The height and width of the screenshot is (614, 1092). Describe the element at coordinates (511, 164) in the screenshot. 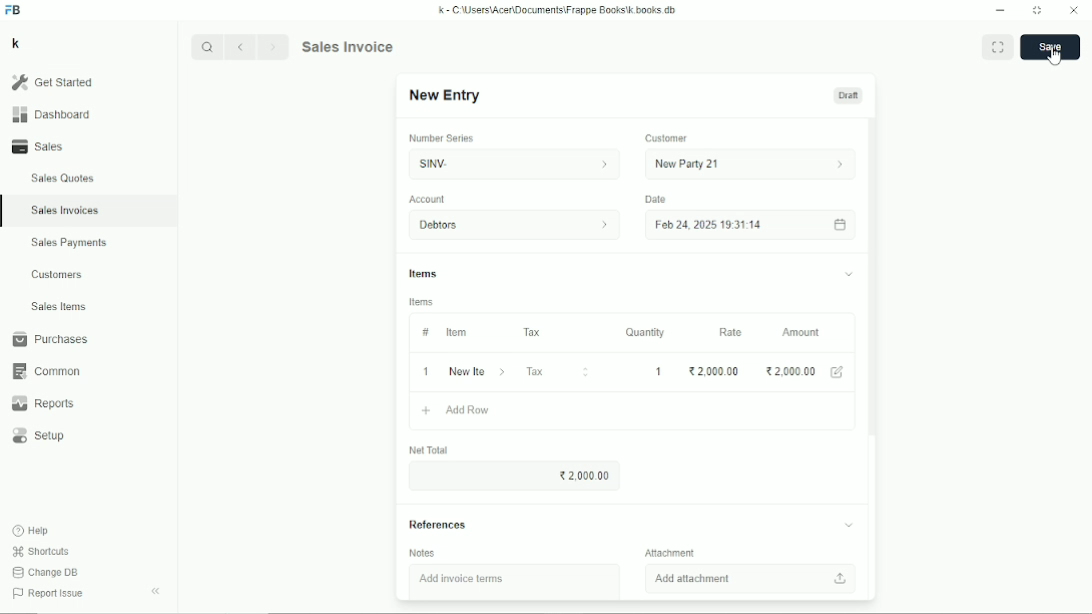

I see `SINV` at that location.